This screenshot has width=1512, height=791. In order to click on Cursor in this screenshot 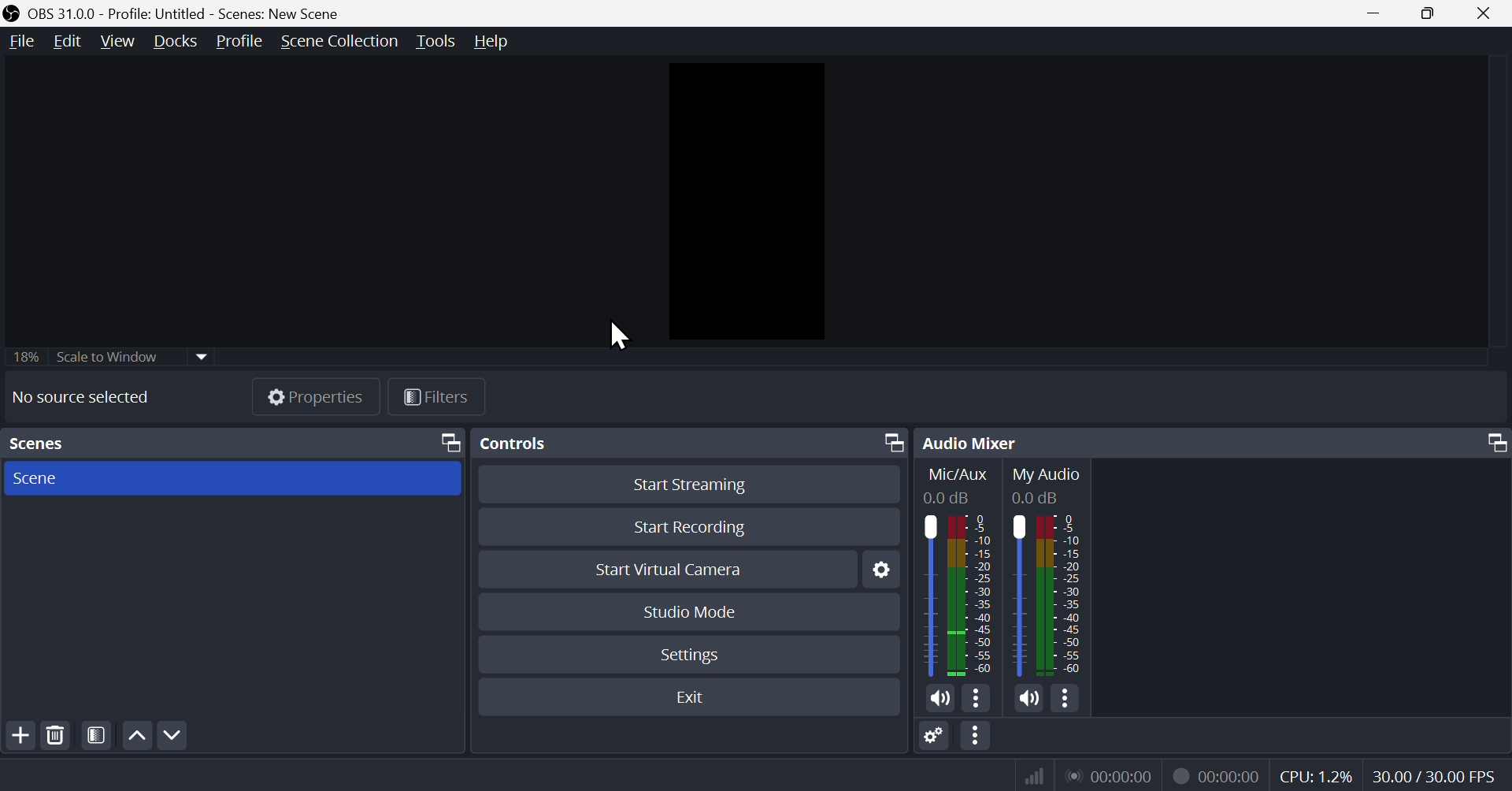, I will do `click(624, 333)`.